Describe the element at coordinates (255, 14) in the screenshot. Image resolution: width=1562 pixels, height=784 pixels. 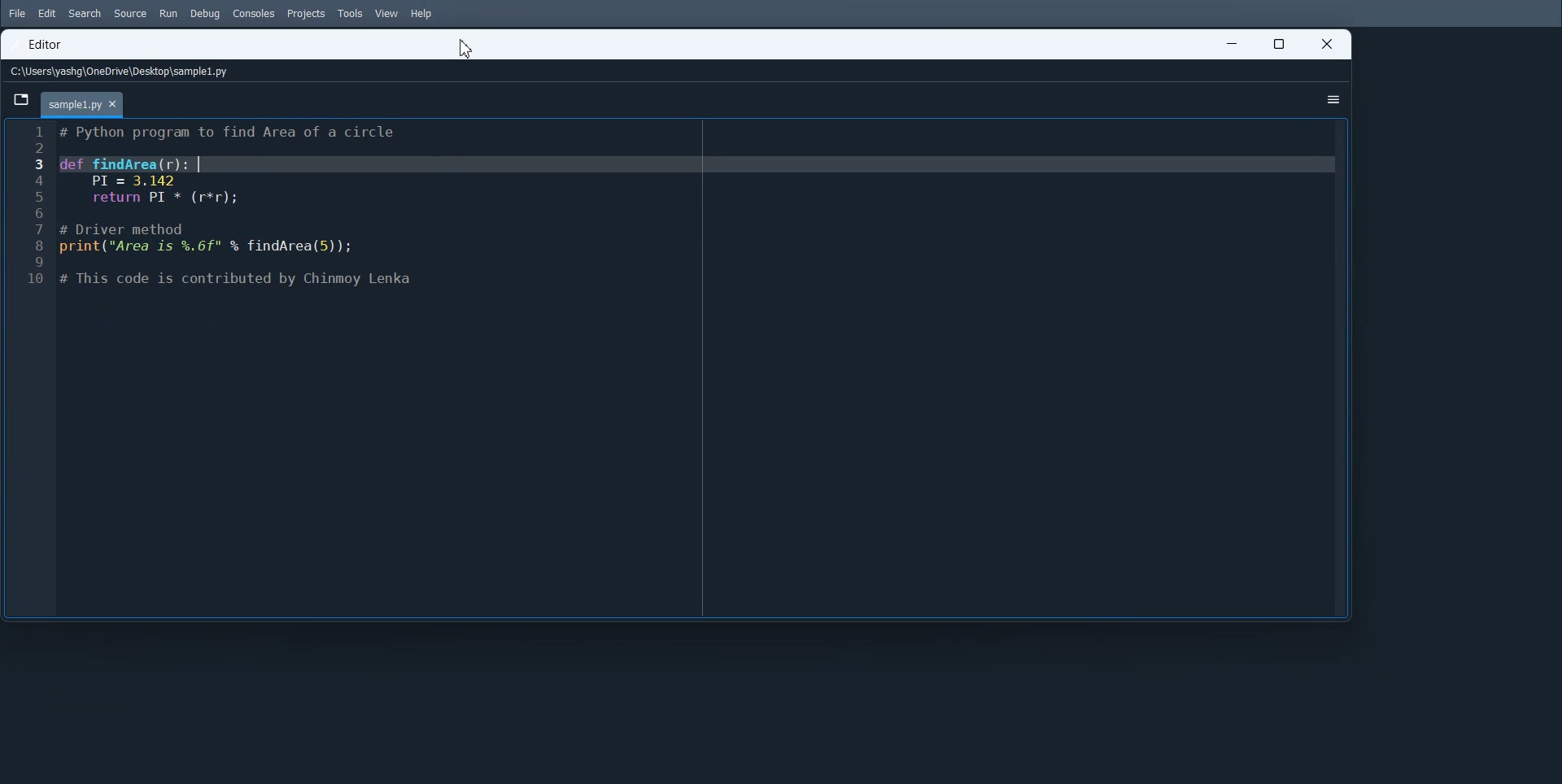
I see `Consoles` at that location.